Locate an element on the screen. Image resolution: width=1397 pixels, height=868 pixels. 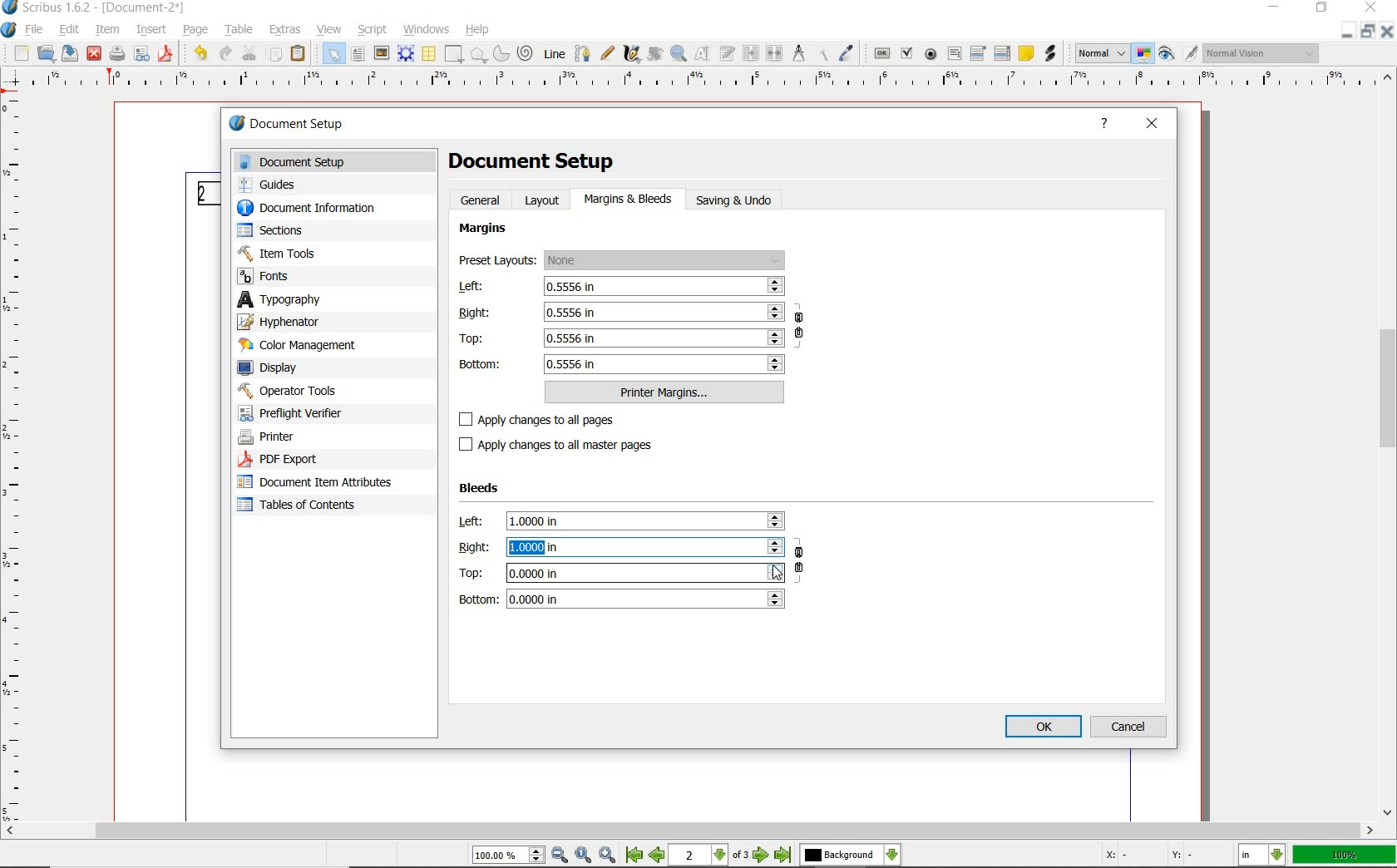
color management is located at coordinates (303, 347).